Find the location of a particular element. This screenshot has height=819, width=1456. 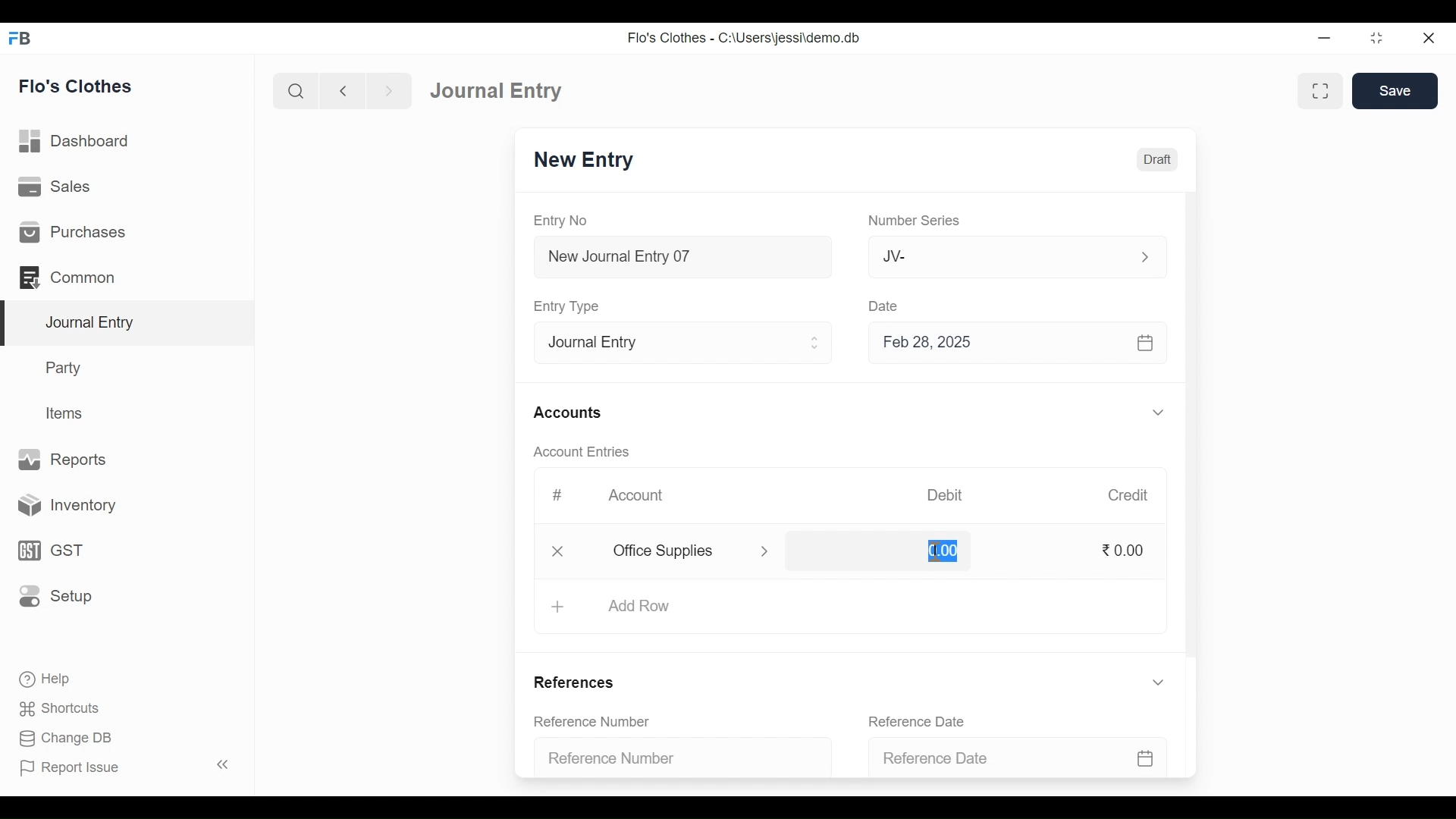

Shortcuts is located at coordinates (68, 706).